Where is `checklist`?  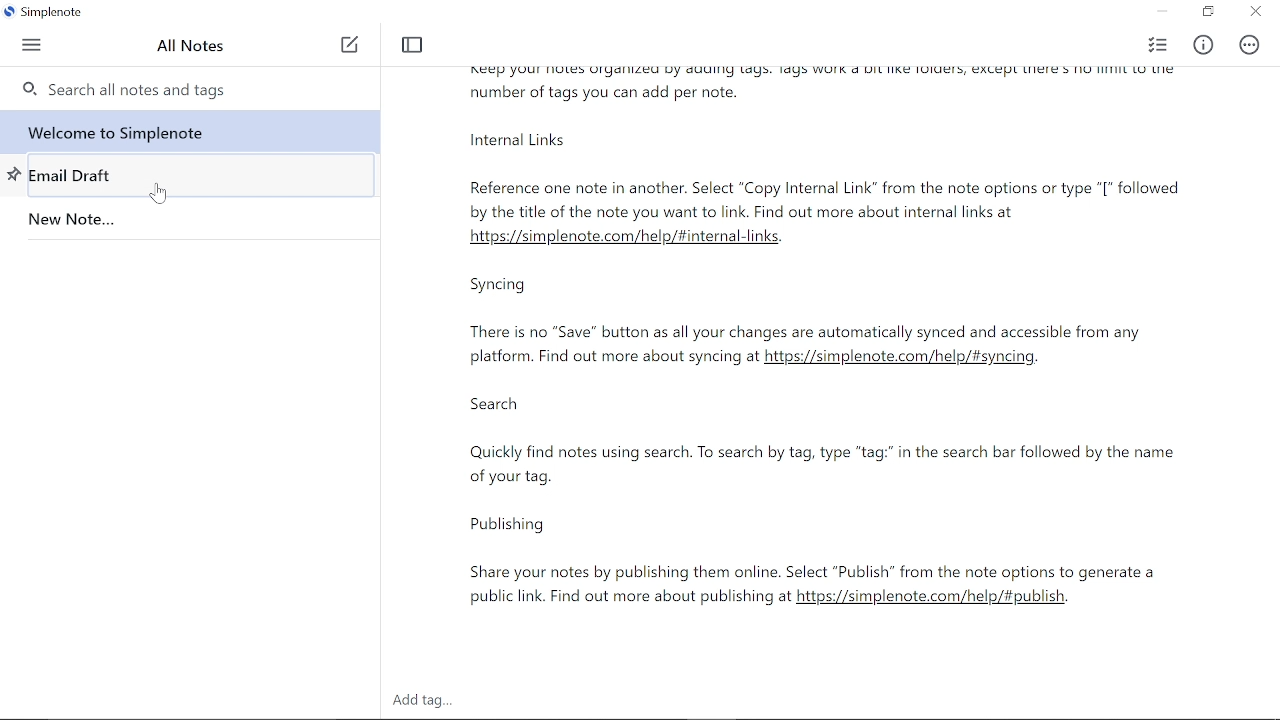
checklist is located at coordinates (1157, 45).